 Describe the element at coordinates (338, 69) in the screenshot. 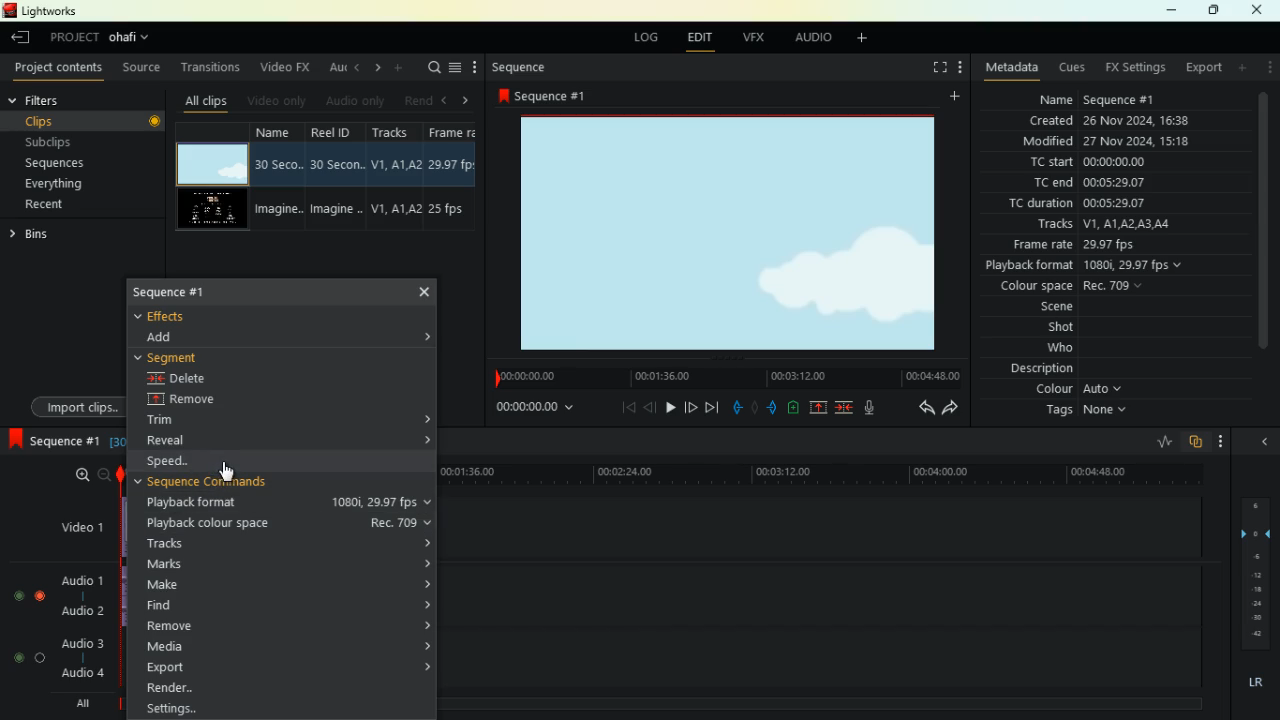

I see `au` at that location.